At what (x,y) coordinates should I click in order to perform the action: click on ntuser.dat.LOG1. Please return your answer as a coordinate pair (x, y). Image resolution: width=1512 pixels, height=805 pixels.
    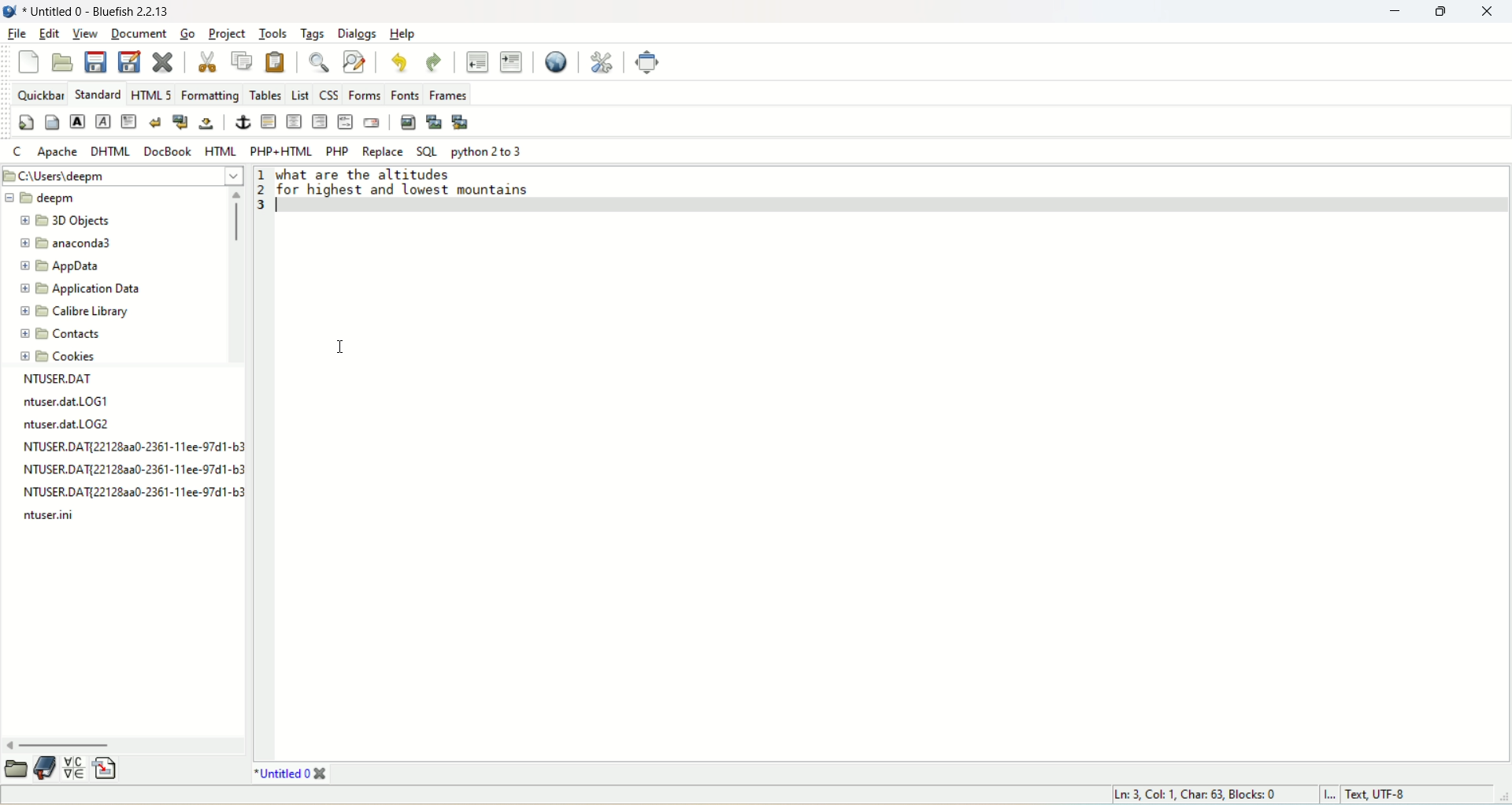
    Looking at the image, I should click on (65, 402).